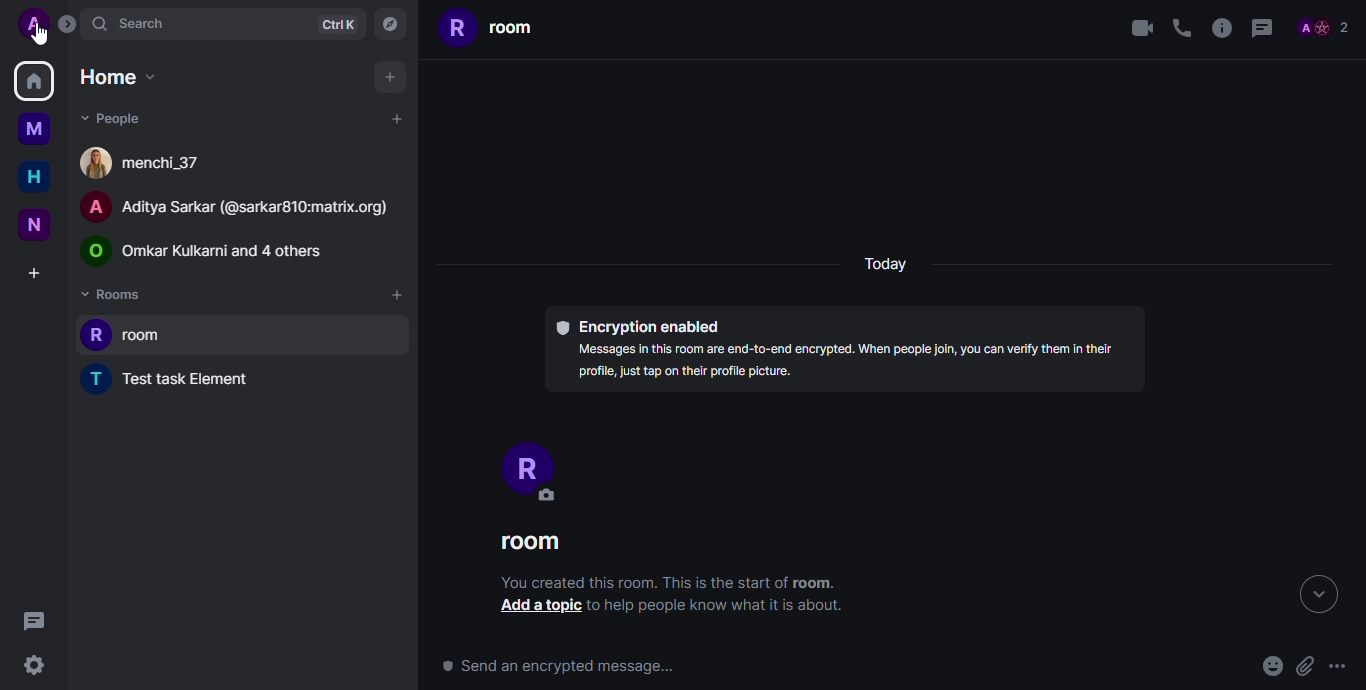  What do you see at coordinates (176, 377) in the screenshot?
I see `new task element` at bounding box center [176, 377].